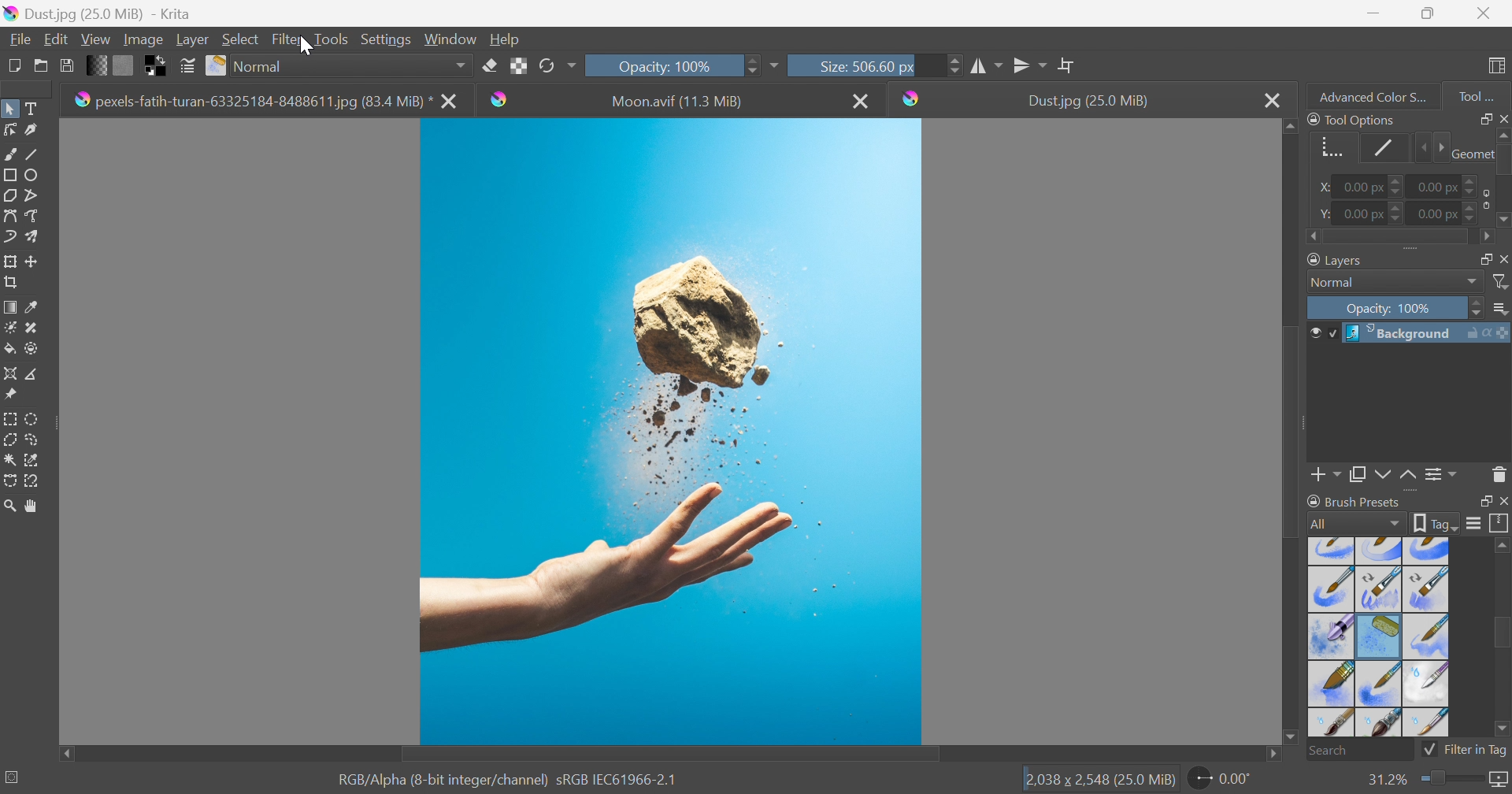  I want to click on Drop Down, so click(1473, 282).